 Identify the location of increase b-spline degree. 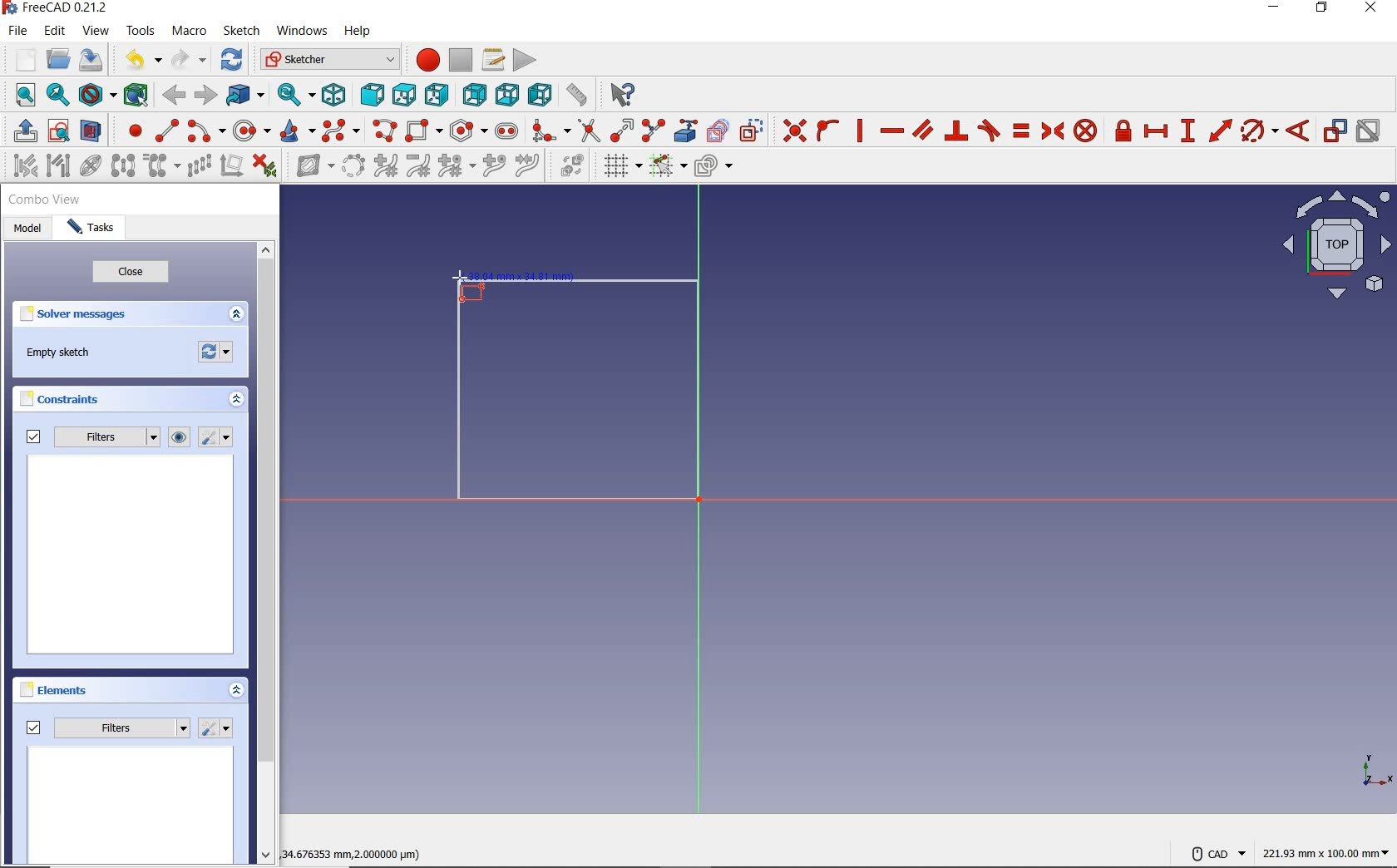
(384, 167).